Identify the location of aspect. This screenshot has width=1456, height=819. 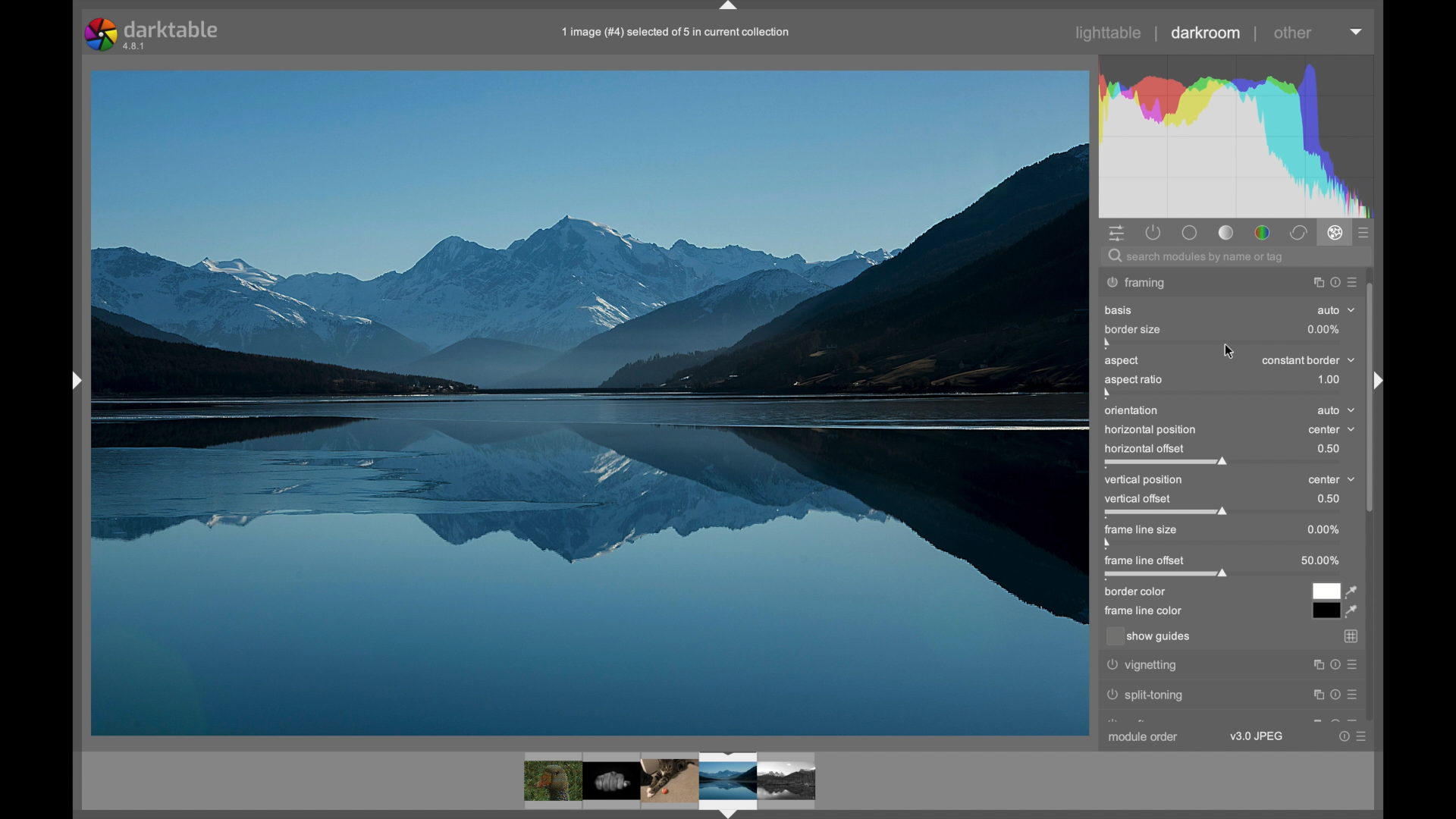
(1122, 361).